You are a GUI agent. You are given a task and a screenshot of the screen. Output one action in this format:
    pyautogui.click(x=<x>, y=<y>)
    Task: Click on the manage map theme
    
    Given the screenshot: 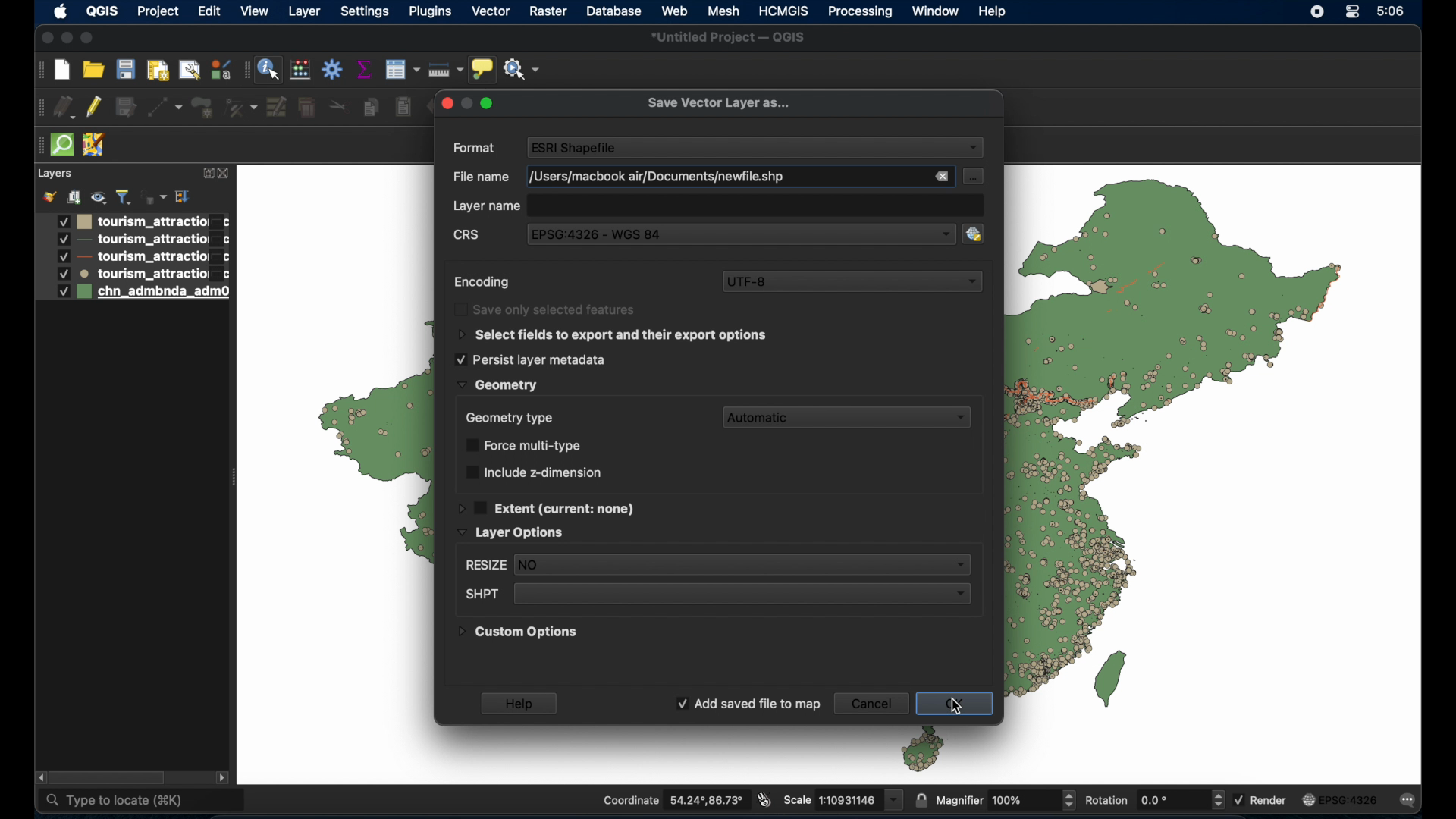 What is the action you would take?
    pyautogui.click(x=98, y=197)
    